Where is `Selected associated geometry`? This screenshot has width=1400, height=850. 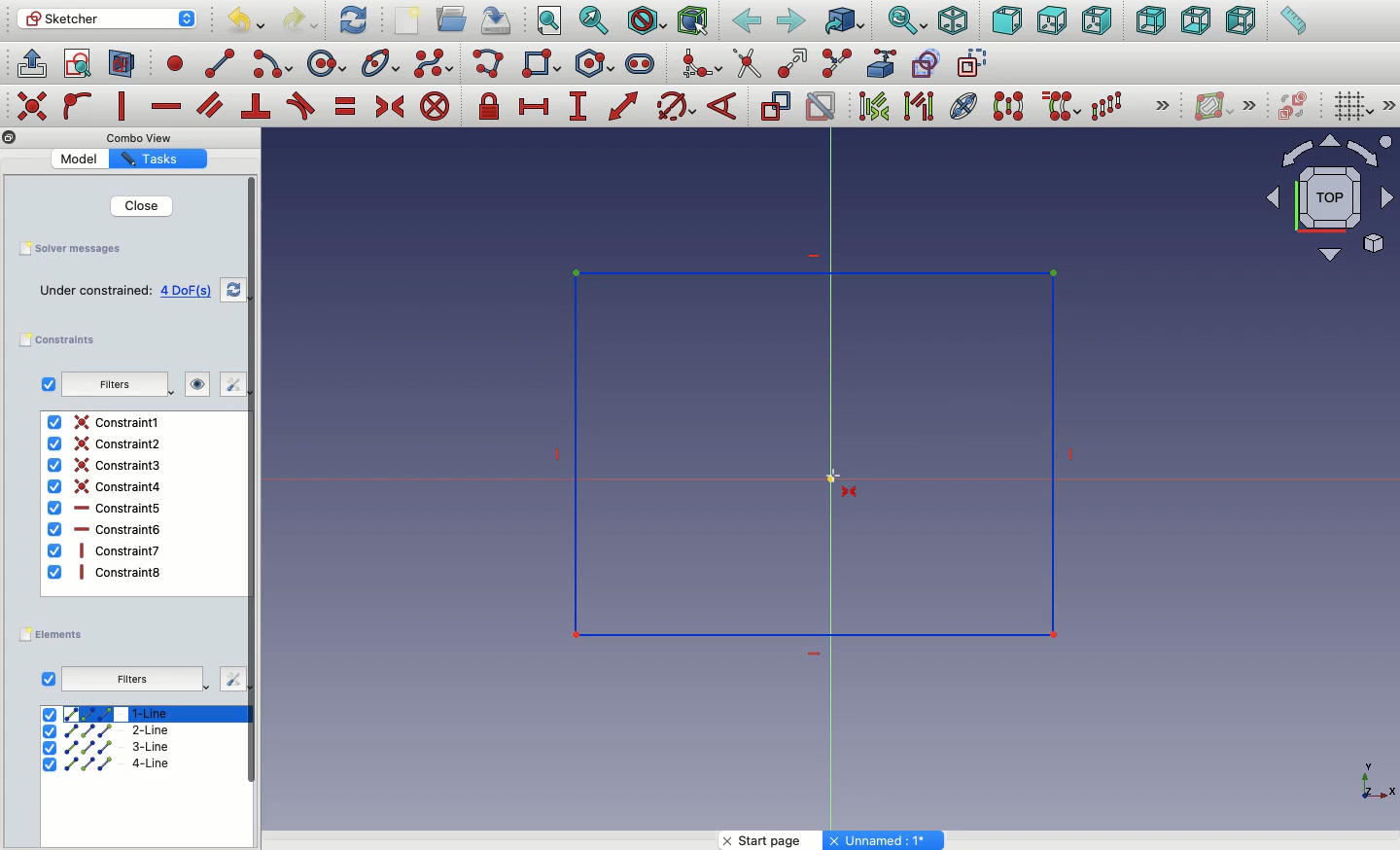 Selected associated geometry is located at coordinates (917, 105).